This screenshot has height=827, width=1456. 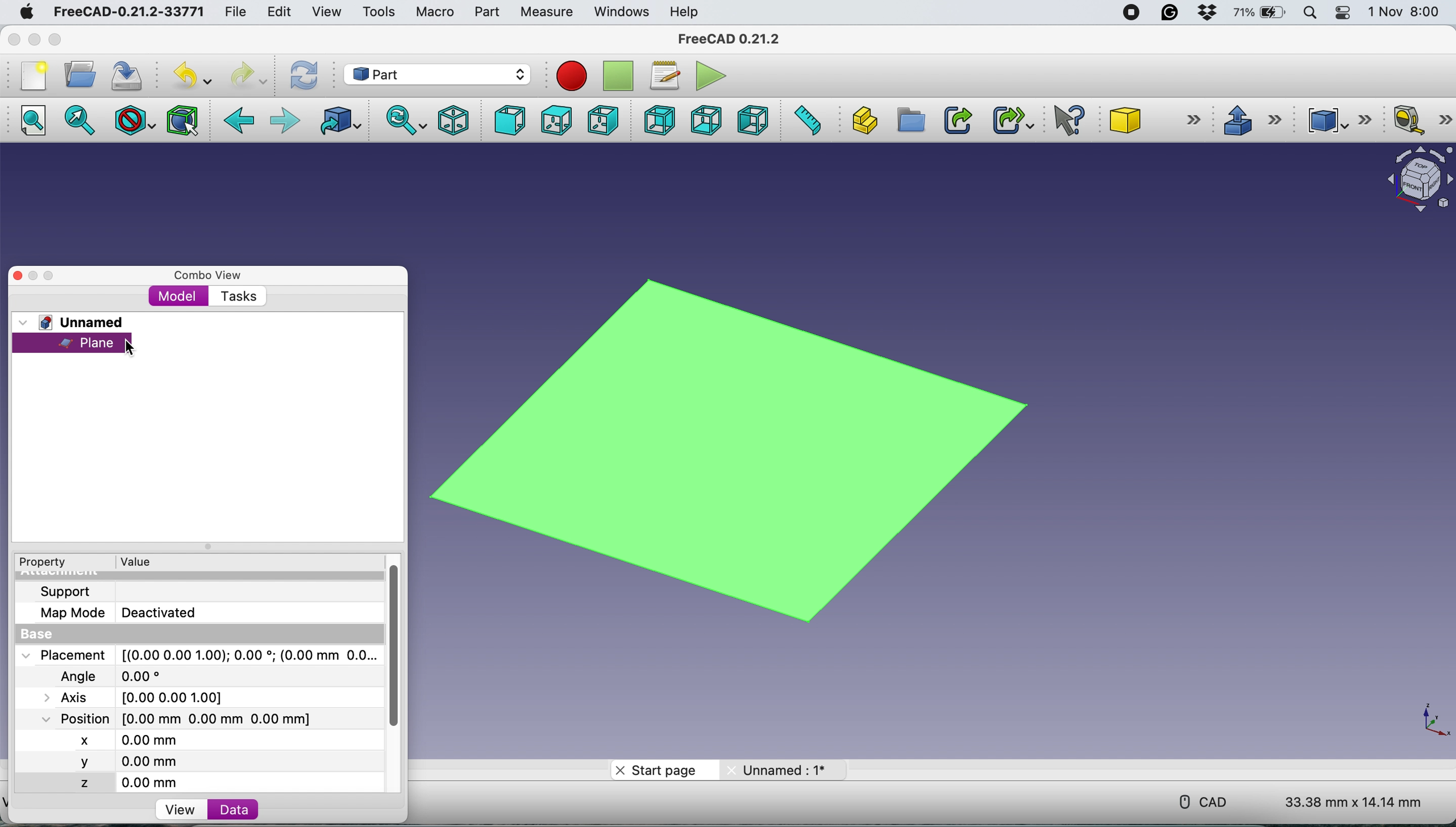 What do you see at coordinates (1358, 803) in the screenshot?
I see `33.38 mm x 14.14 mm` at bounding box center [1358, 803].